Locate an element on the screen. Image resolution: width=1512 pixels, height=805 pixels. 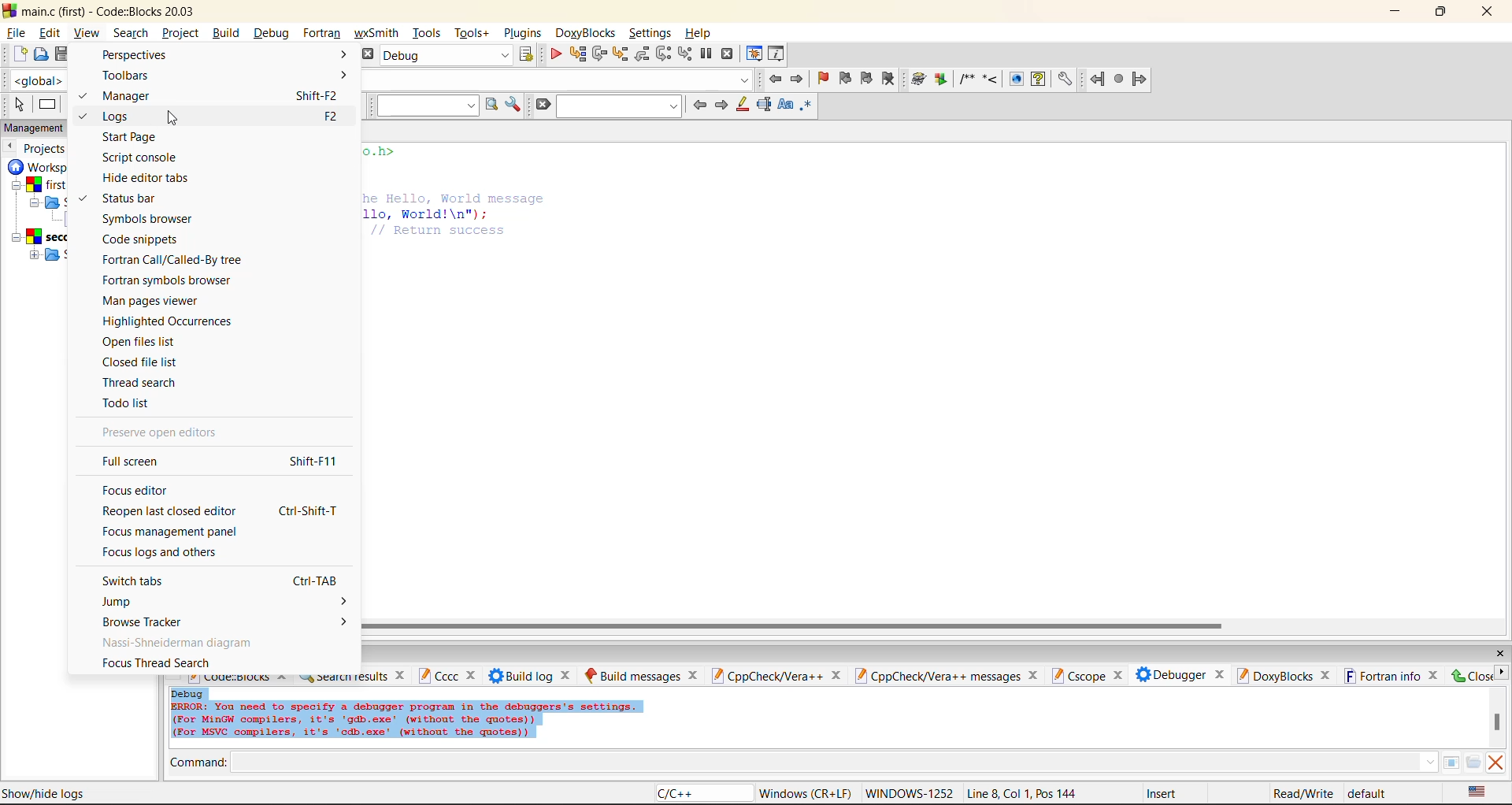
fortran is located at coordinates (321, 35).